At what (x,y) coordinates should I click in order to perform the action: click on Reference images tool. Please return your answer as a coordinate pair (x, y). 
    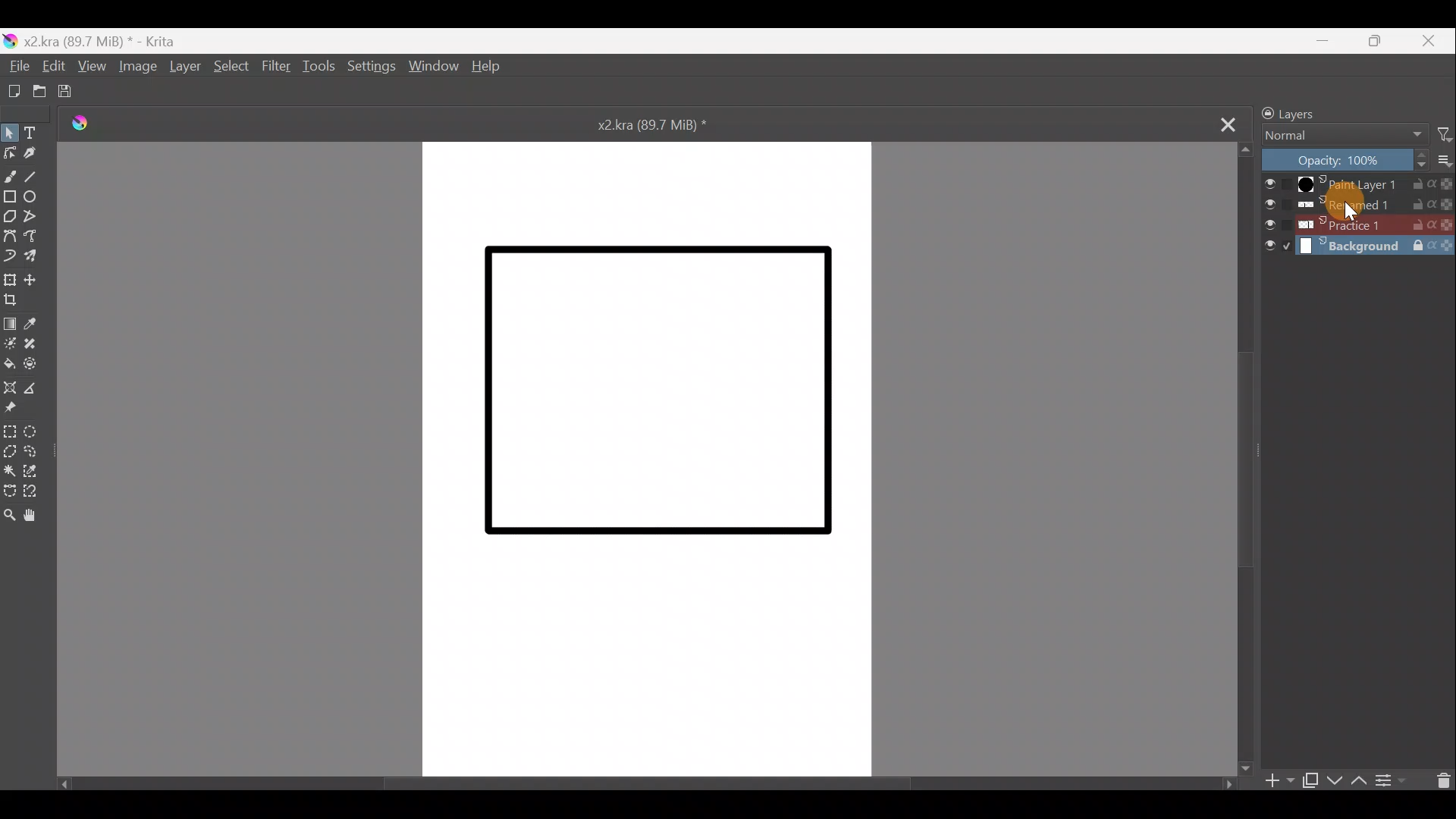
    Looking at the image, I should click on (14, 409).